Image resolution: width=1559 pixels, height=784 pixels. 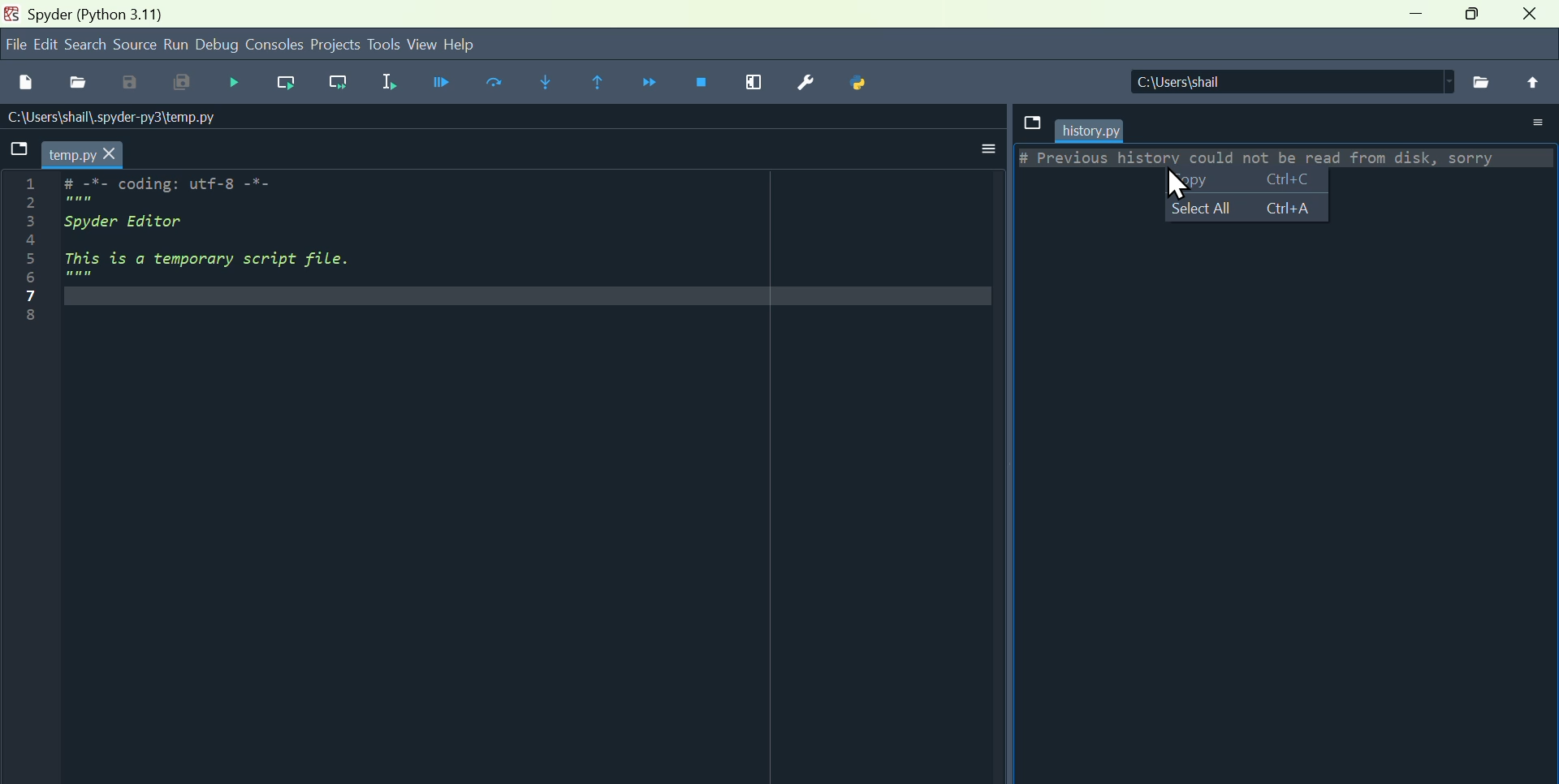 I want to click on PYTHONPATH manager, so click(x=863, y=80).